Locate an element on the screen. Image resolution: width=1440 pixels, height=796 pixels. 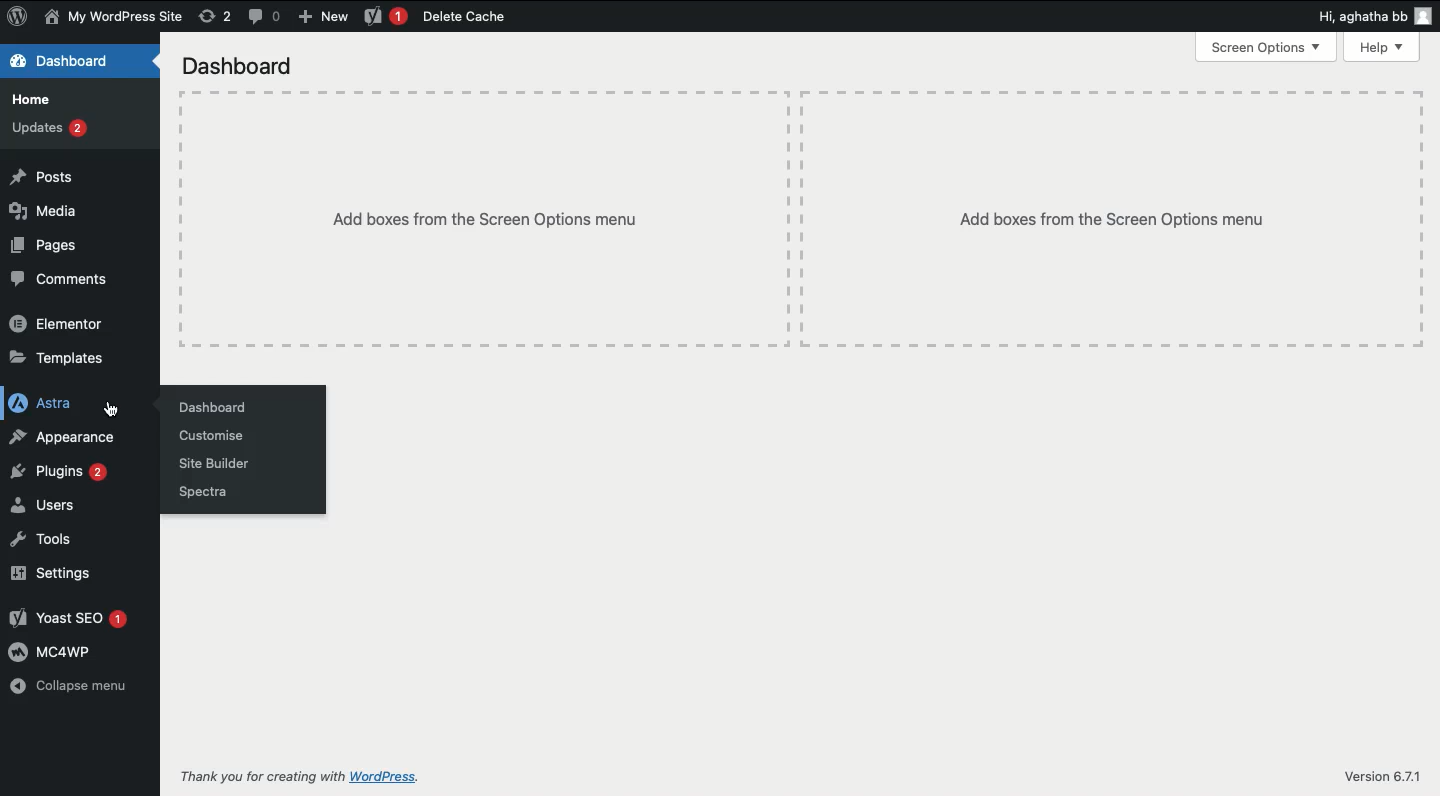
Media is located at coordinates (44, 211).